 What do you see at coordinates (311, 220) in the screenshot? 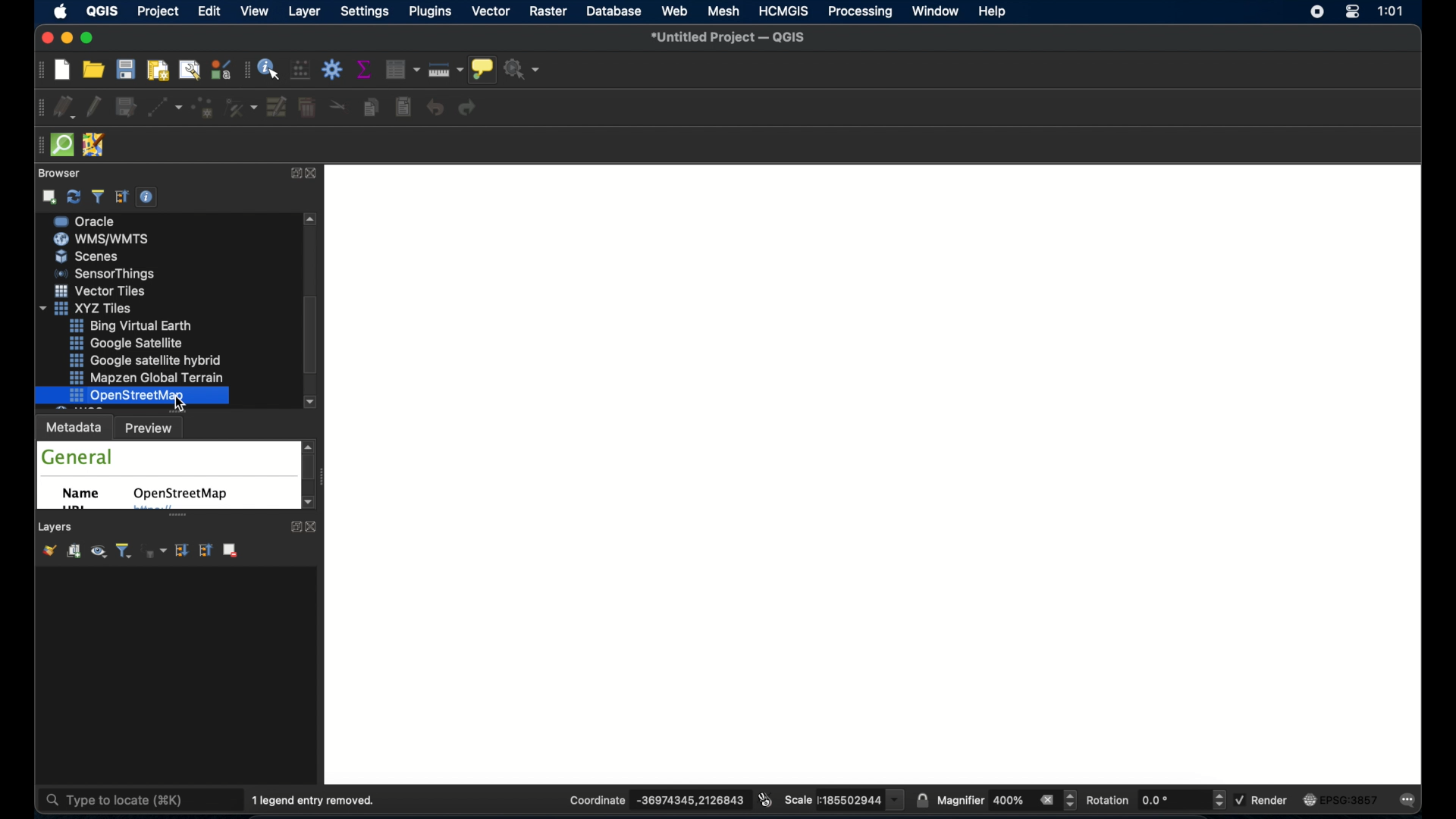
I see `scroll up arrow` at bounding box center [311, 220].